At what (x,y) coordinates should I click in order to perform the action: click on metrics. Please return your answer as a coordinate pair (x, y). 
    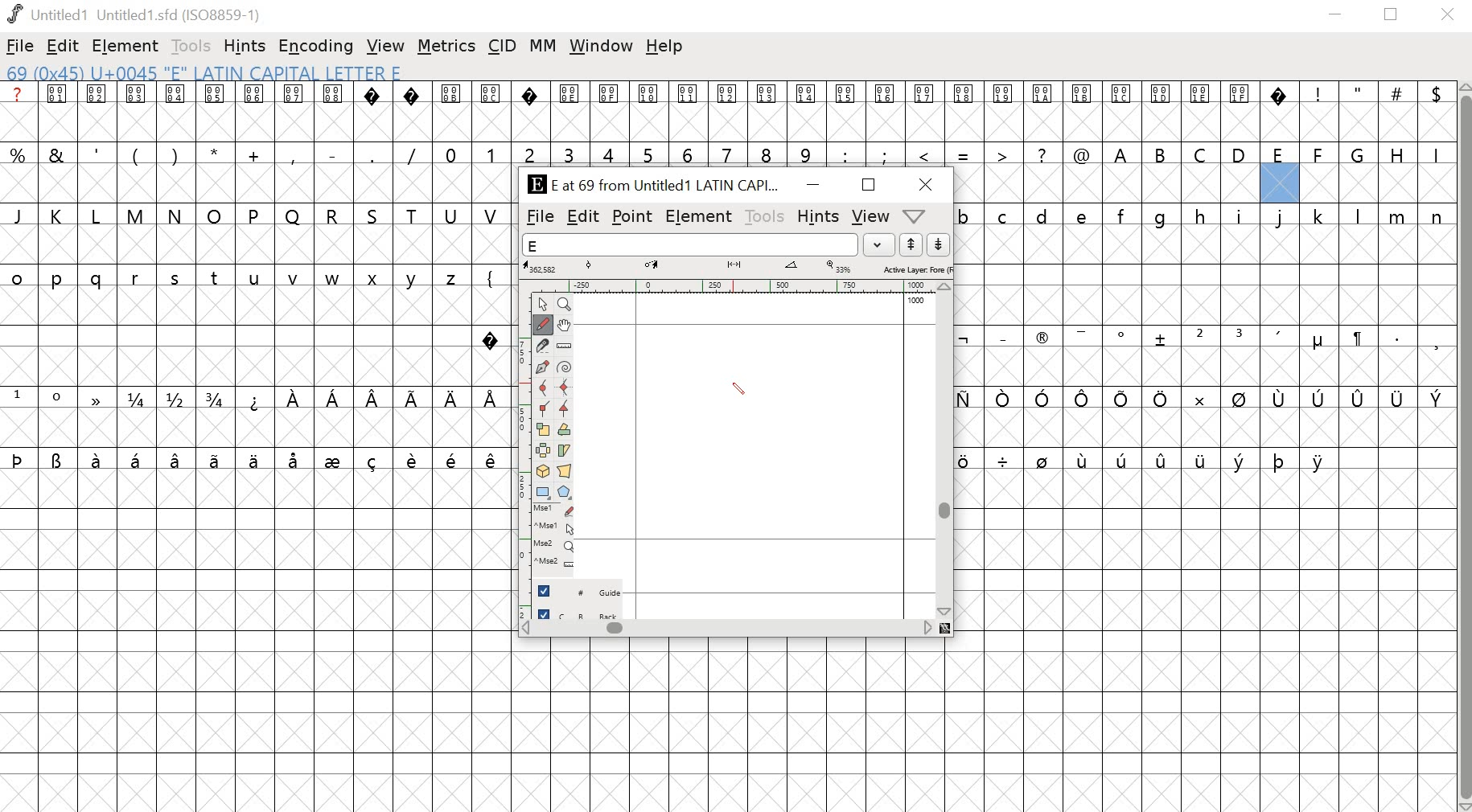
    Looking at the image, I should click on (446, 48).